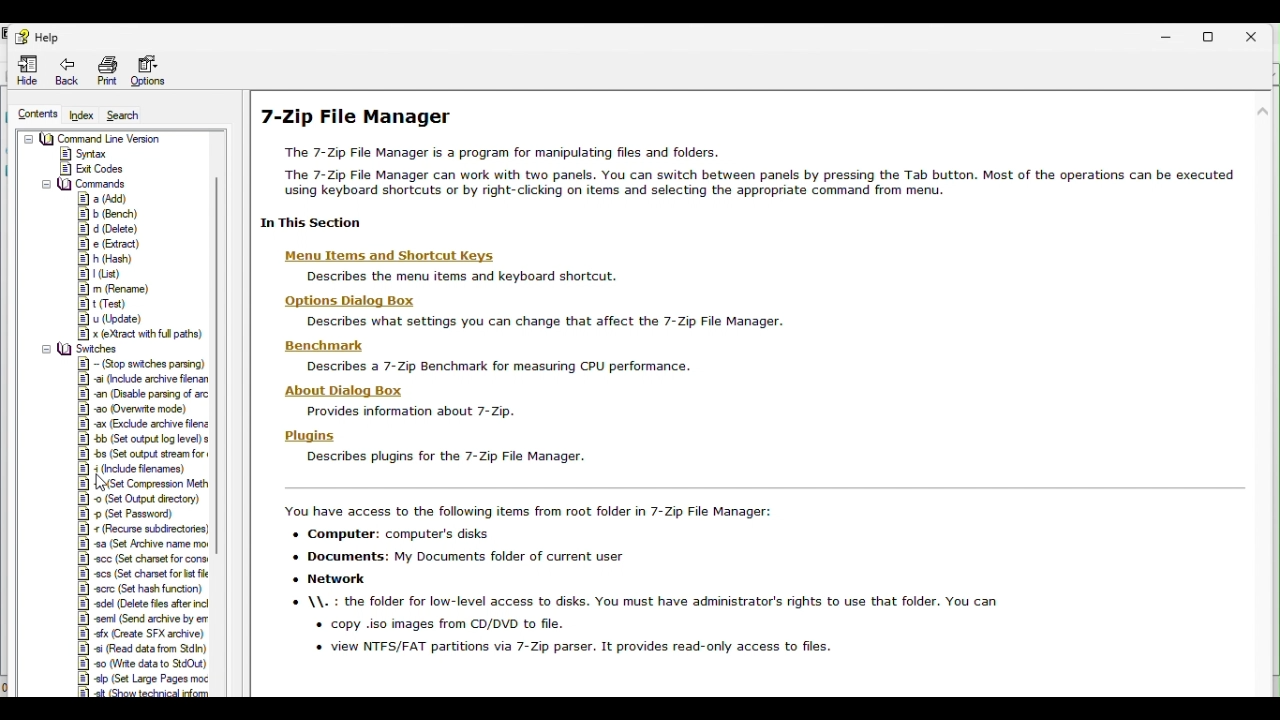  Describe the element at coordinates (1211, 37) in the screenshot. I see `Restore` at that location.